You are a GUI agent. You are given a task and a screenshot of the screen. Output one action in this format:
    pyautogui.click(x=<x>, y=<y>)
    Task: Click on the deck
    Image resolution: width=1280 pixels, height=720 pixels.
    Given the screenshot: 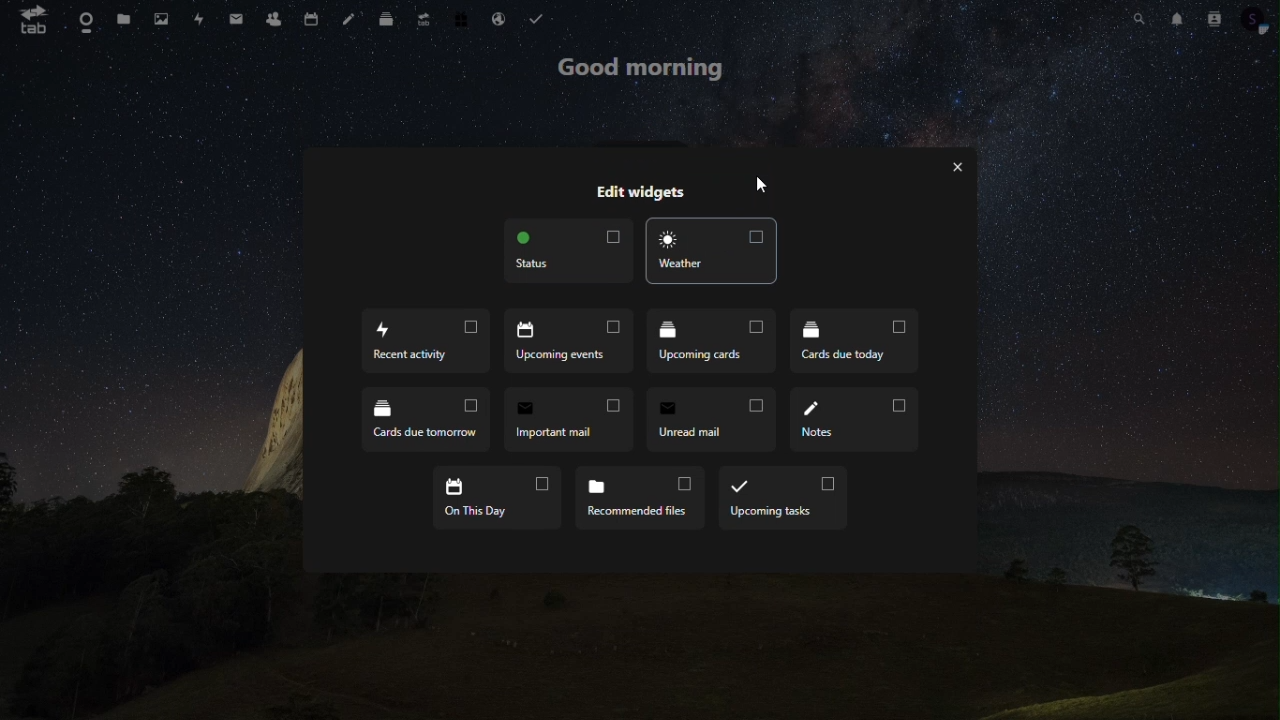 What is the action you would take?
    pyautogui.click(x=384, y=21)
    